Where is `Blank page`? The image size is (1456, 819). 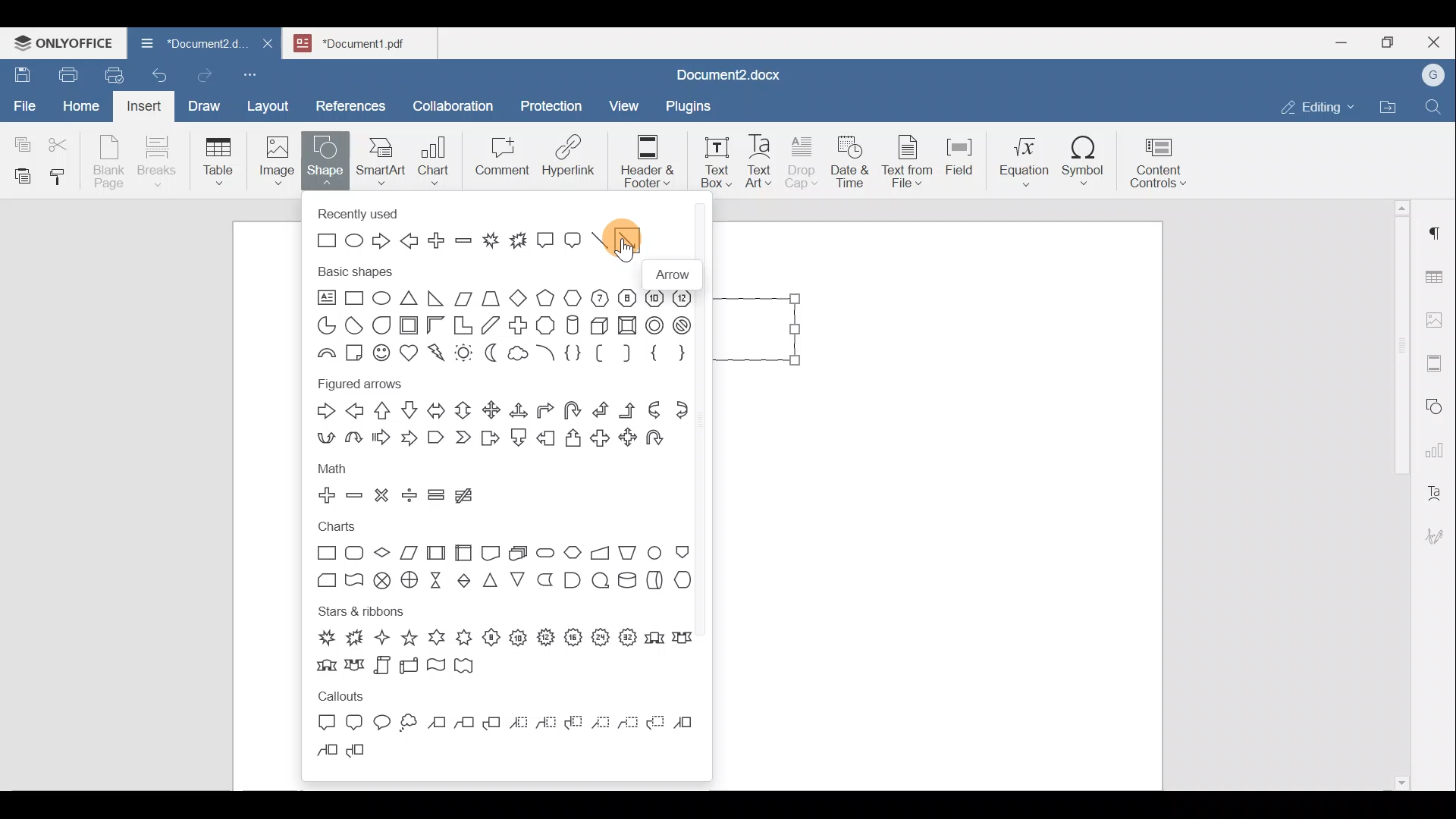 Blank page is located at coordinates (111, 162).